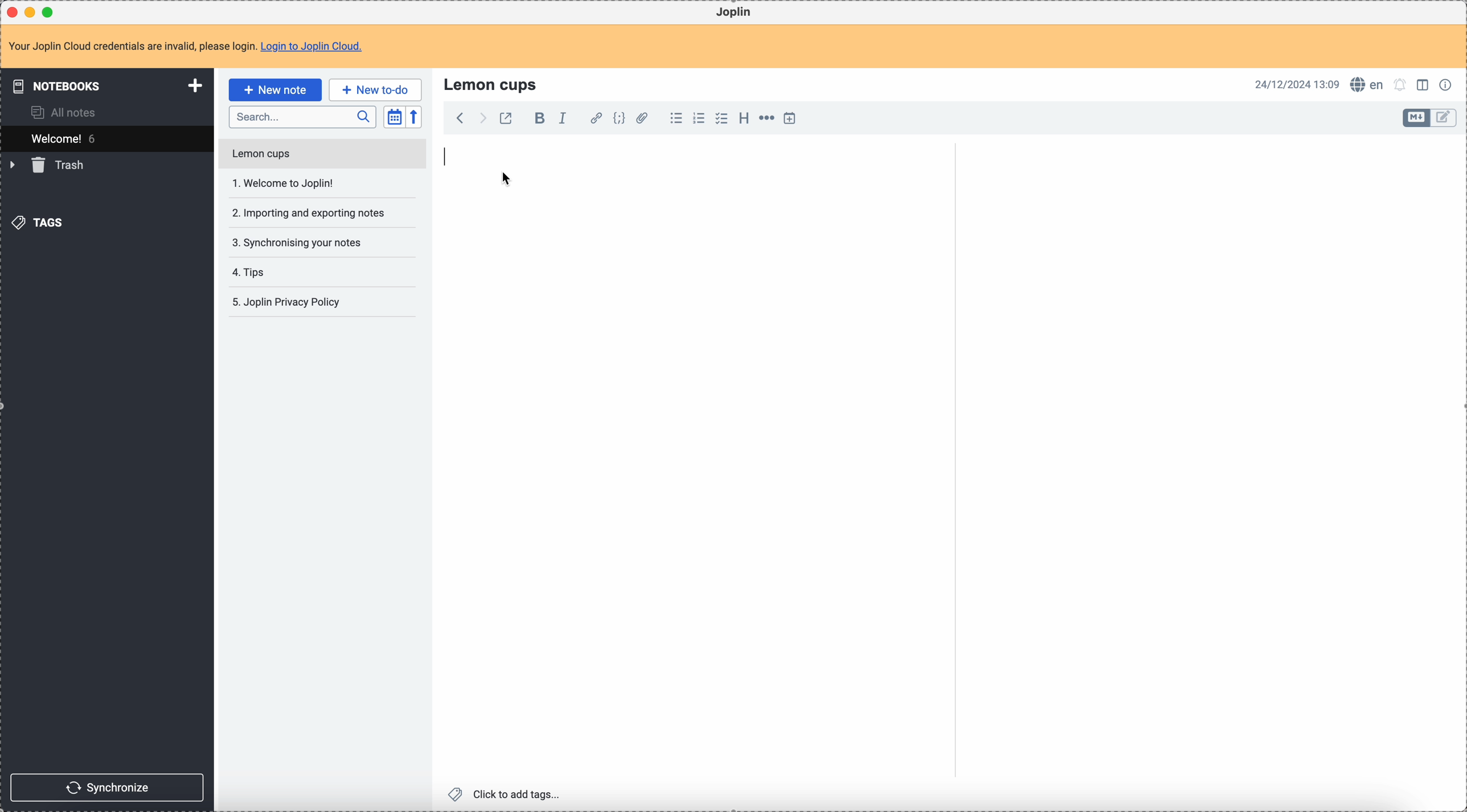 Image resolution: width=1467 pixels, height=812 pixels. Describe the element at coordinates (67, 112) in the screenshot. I see `all notes` at that location.